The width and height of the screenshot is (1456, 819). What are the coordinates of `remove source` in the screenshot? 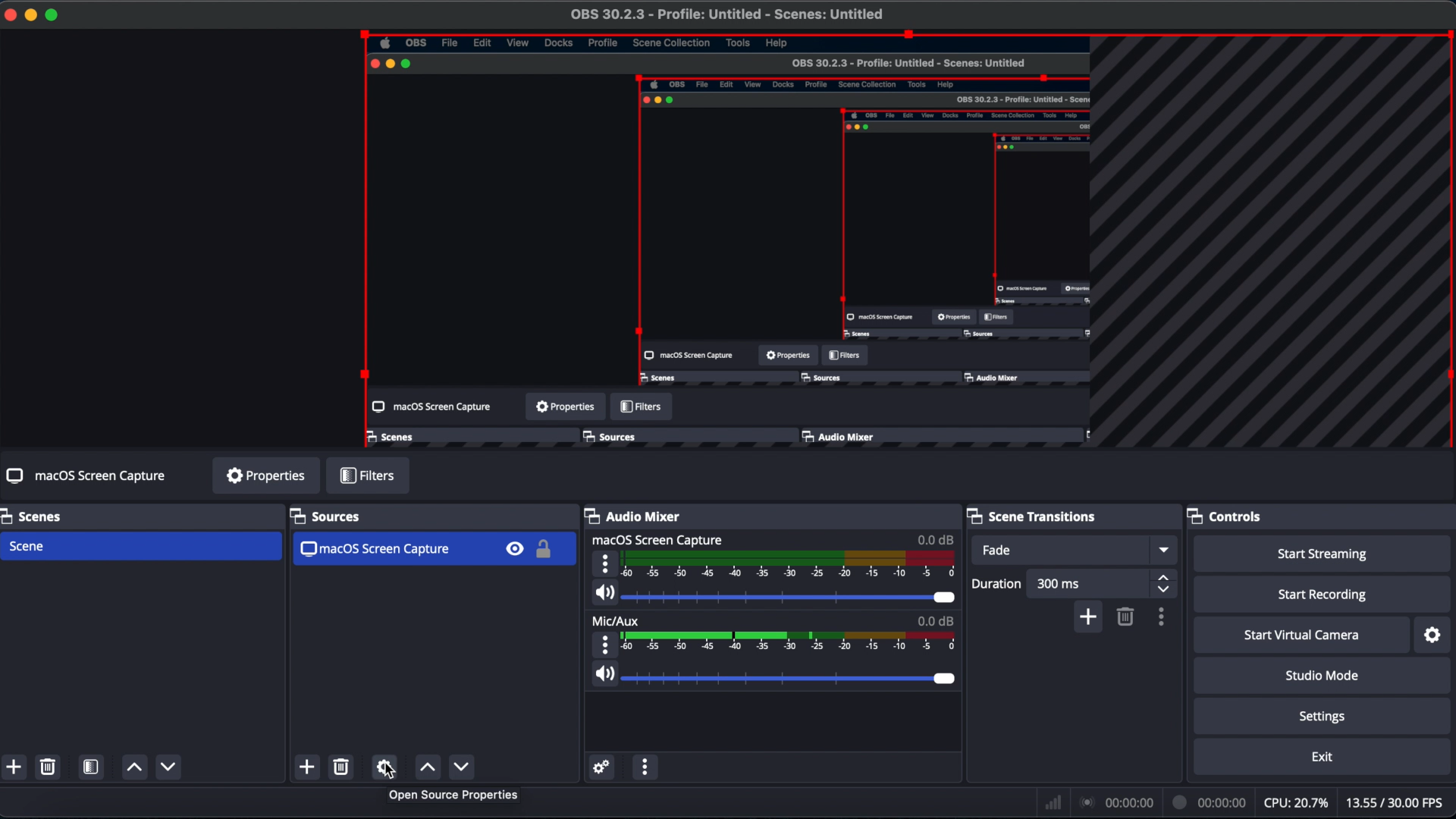 It's located at (341, 767).